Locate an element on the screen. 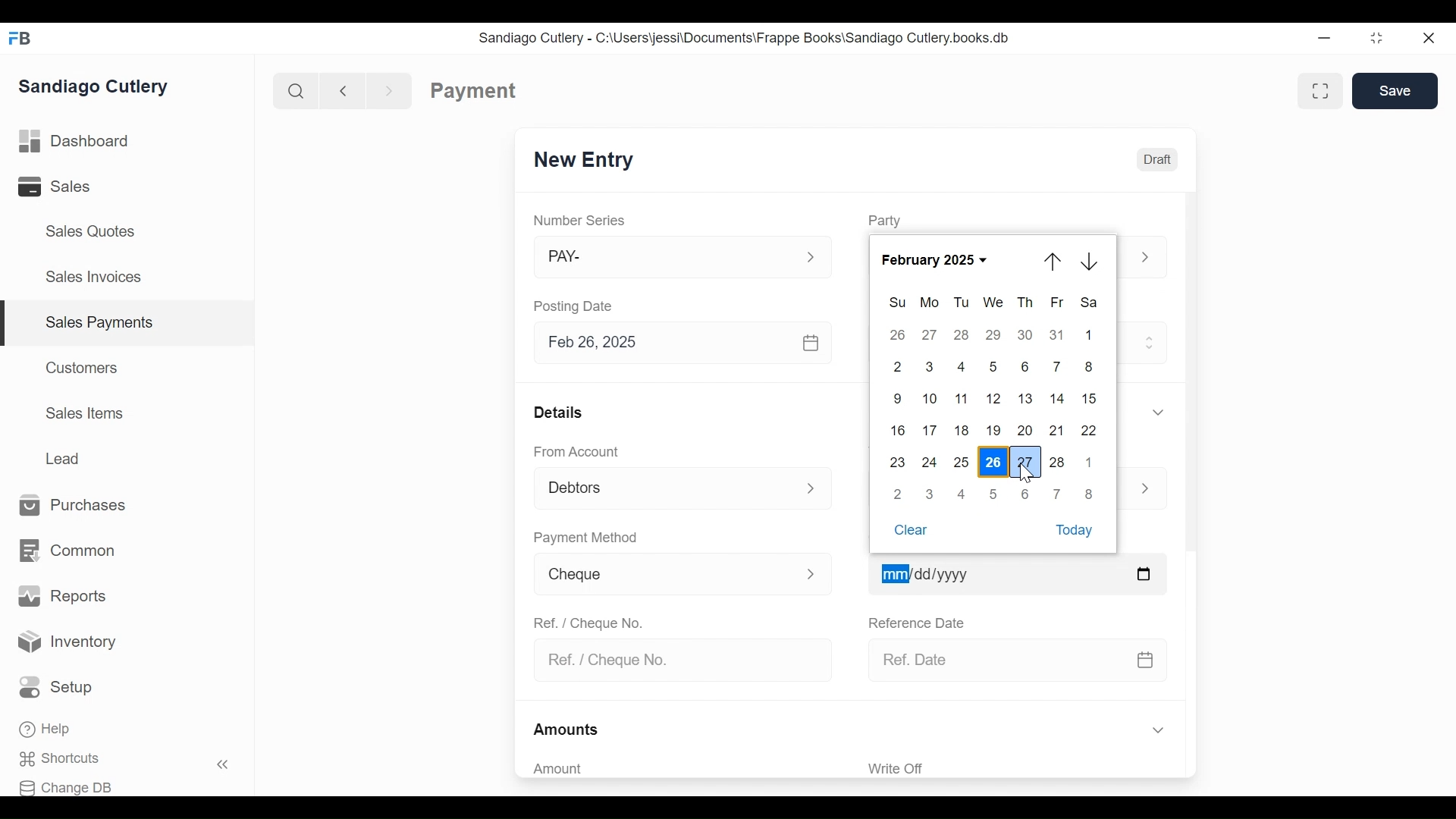 The image size is (1456, 819). 5 is located at coordinates (995, 366).